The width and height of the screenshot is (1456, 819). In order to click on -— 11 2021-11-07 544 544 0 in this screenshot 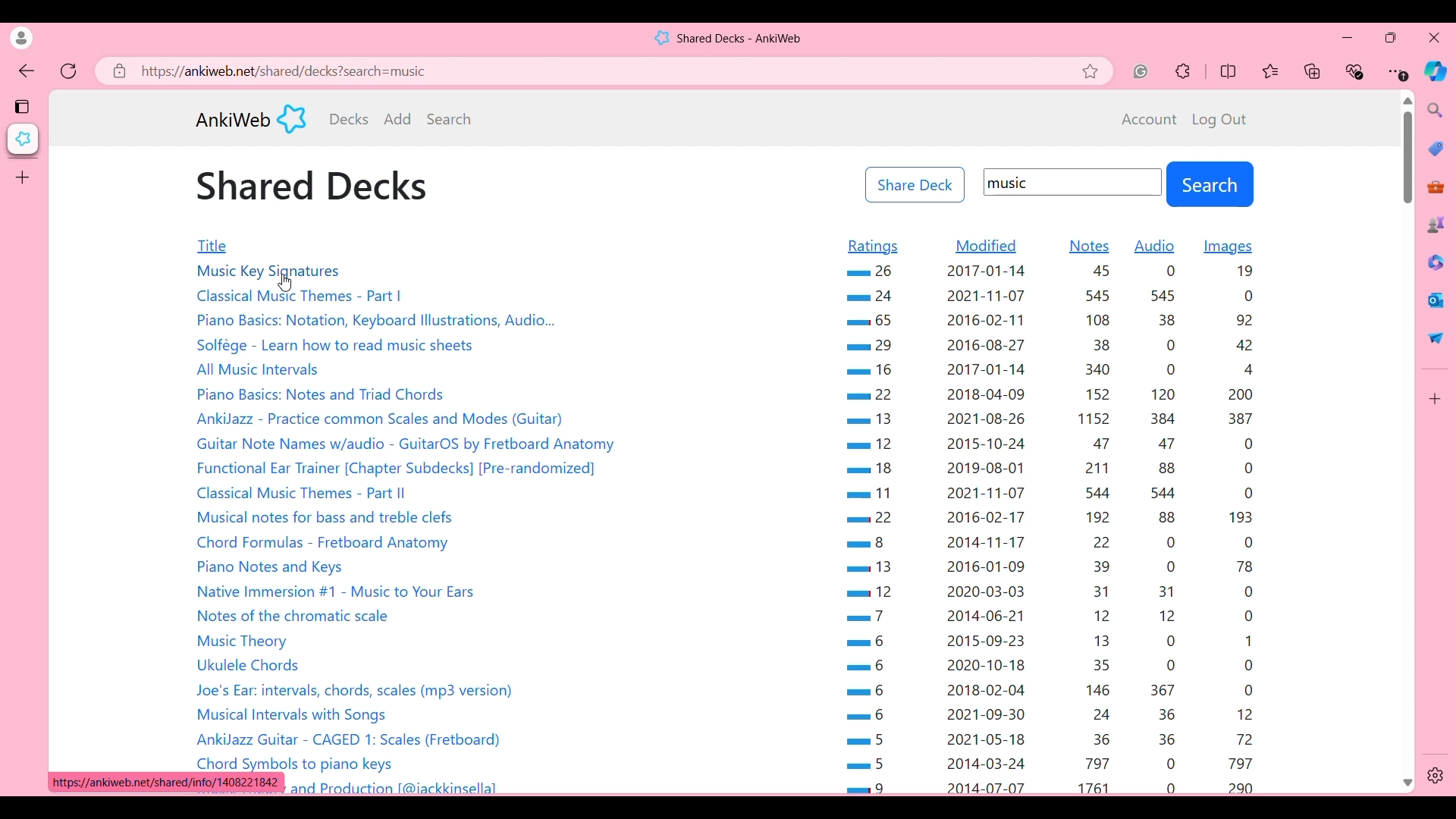, I will do `click(1049, 493)`.